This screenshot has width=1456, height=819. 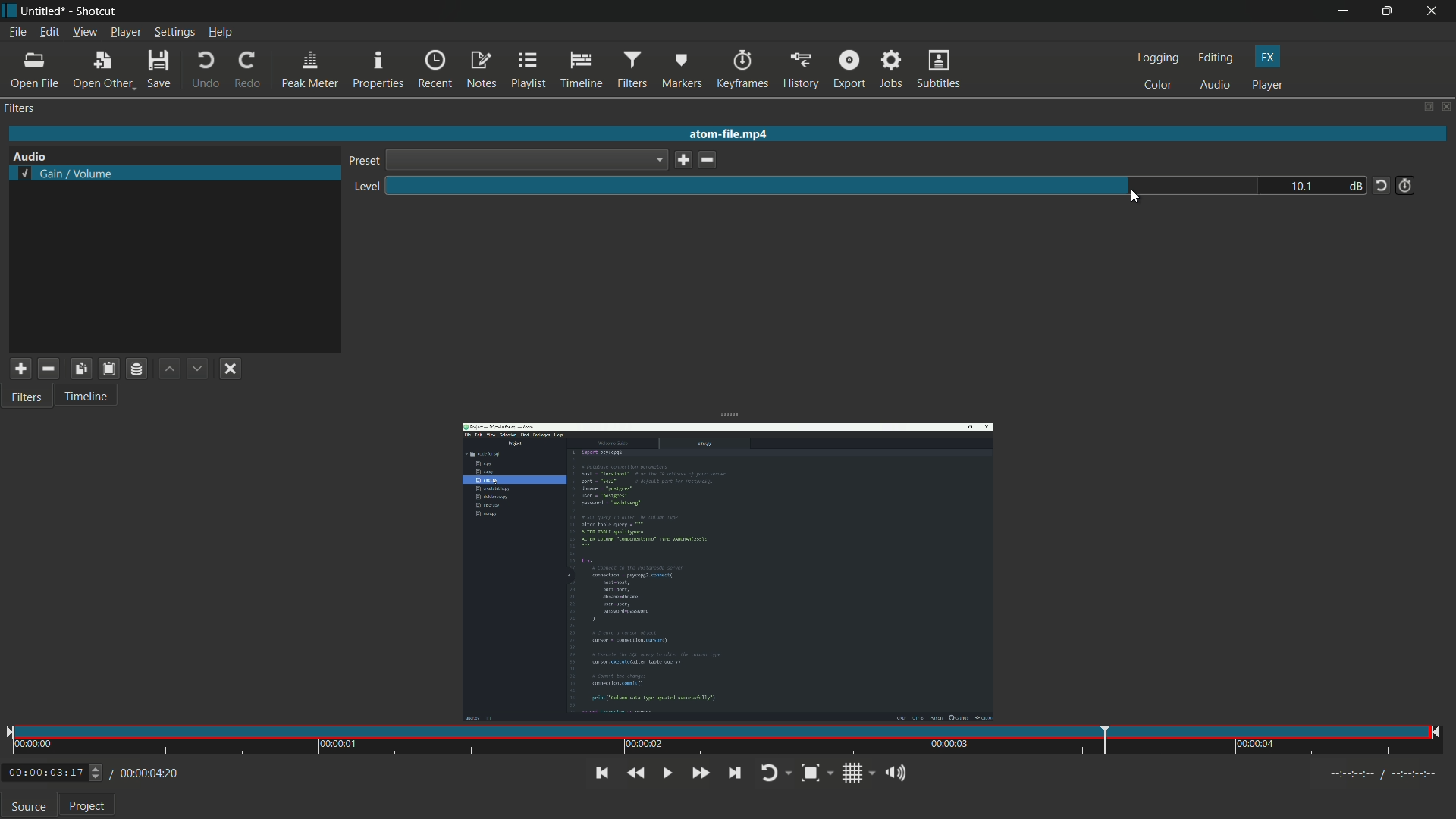 What do you see at coordinates (1216, 86) in the screenshot?
I see `audio` at bounding box center [1216, 86].